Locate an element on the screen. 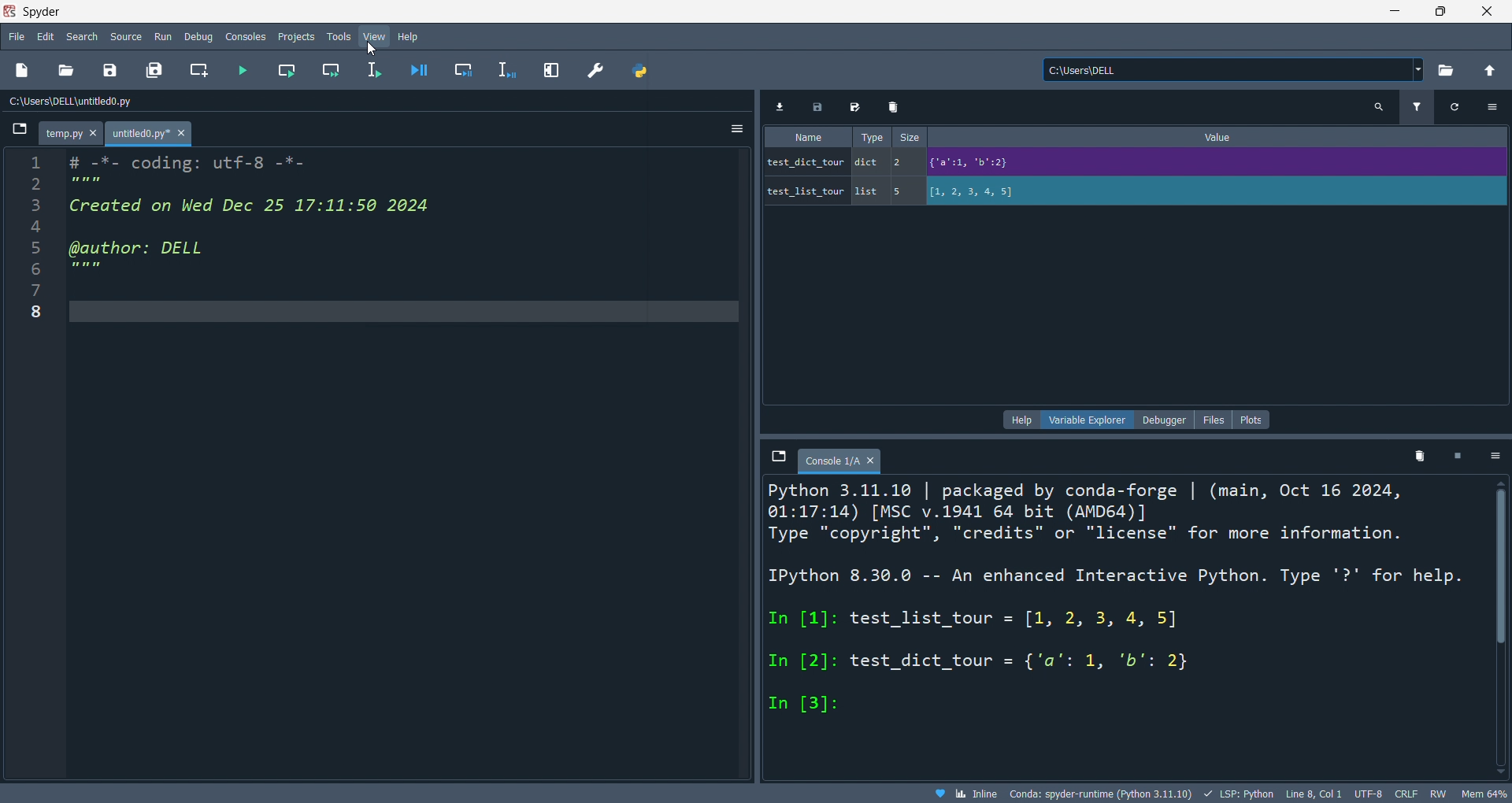  cursor is located at coordinates (372, 50).